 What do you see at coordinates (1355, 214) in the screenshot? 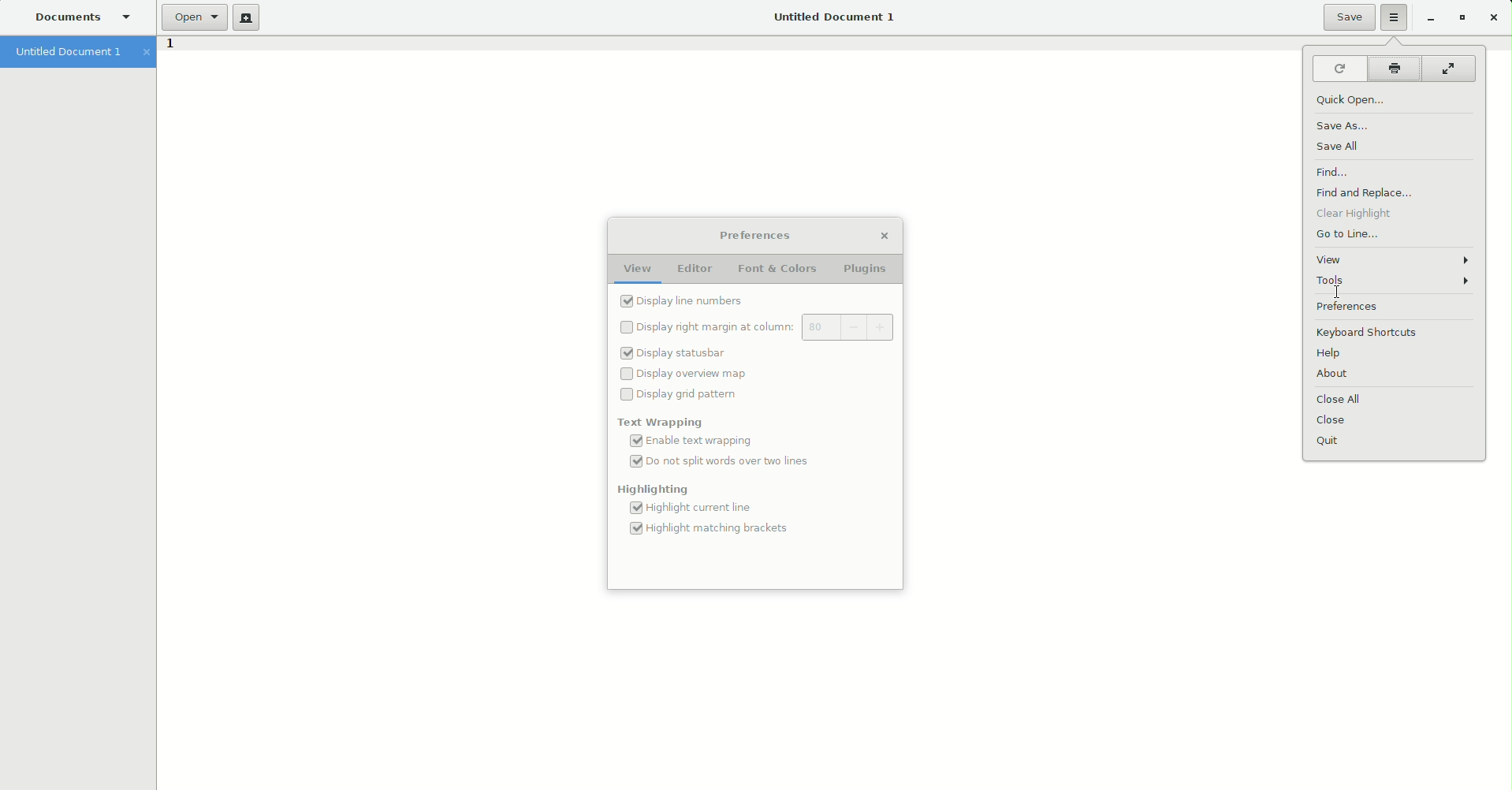
I see `Clear highlight` at bounding box center [1355, 214].